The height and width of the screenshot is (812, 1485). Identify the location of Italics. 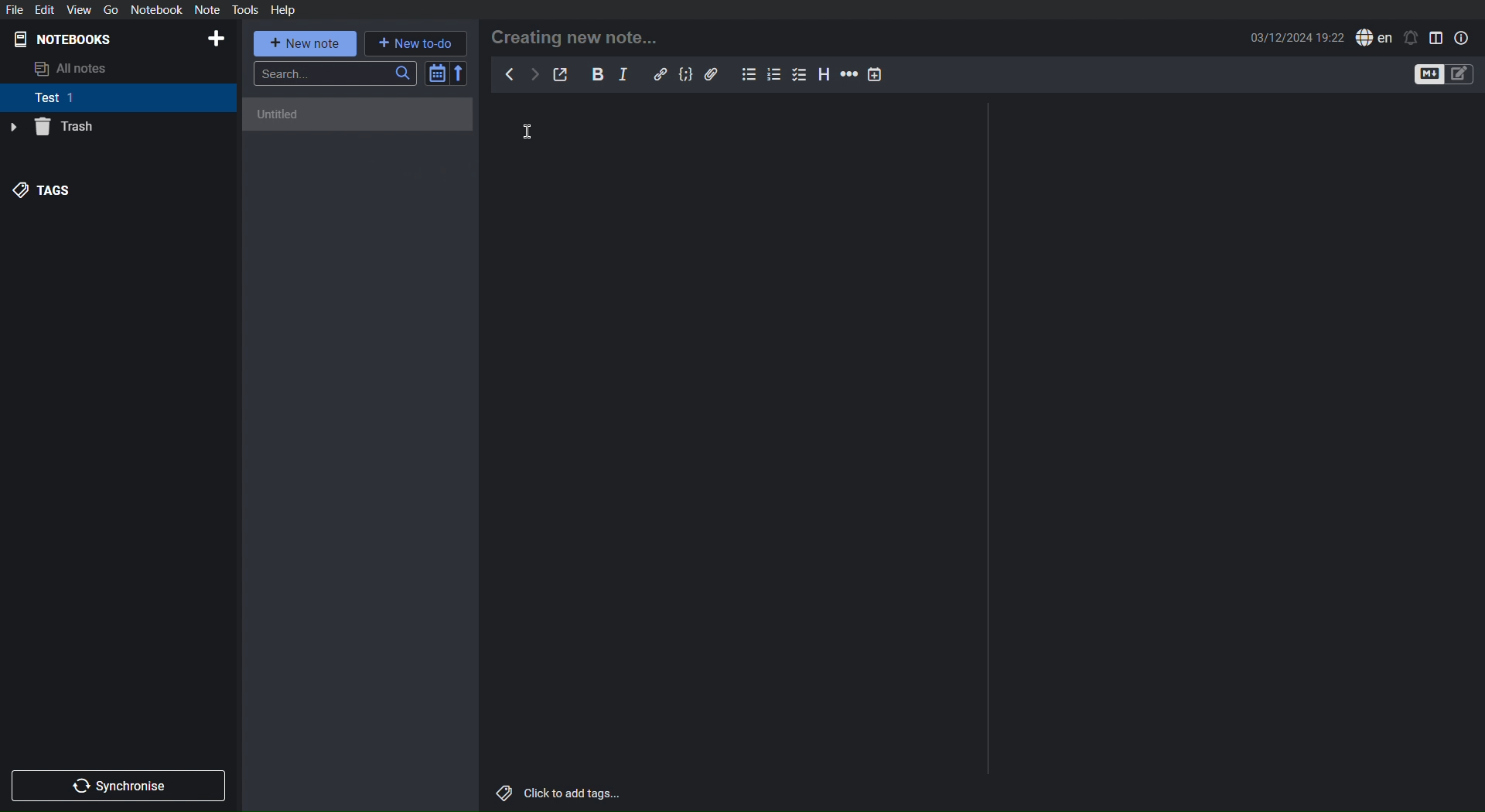
(623, 74).